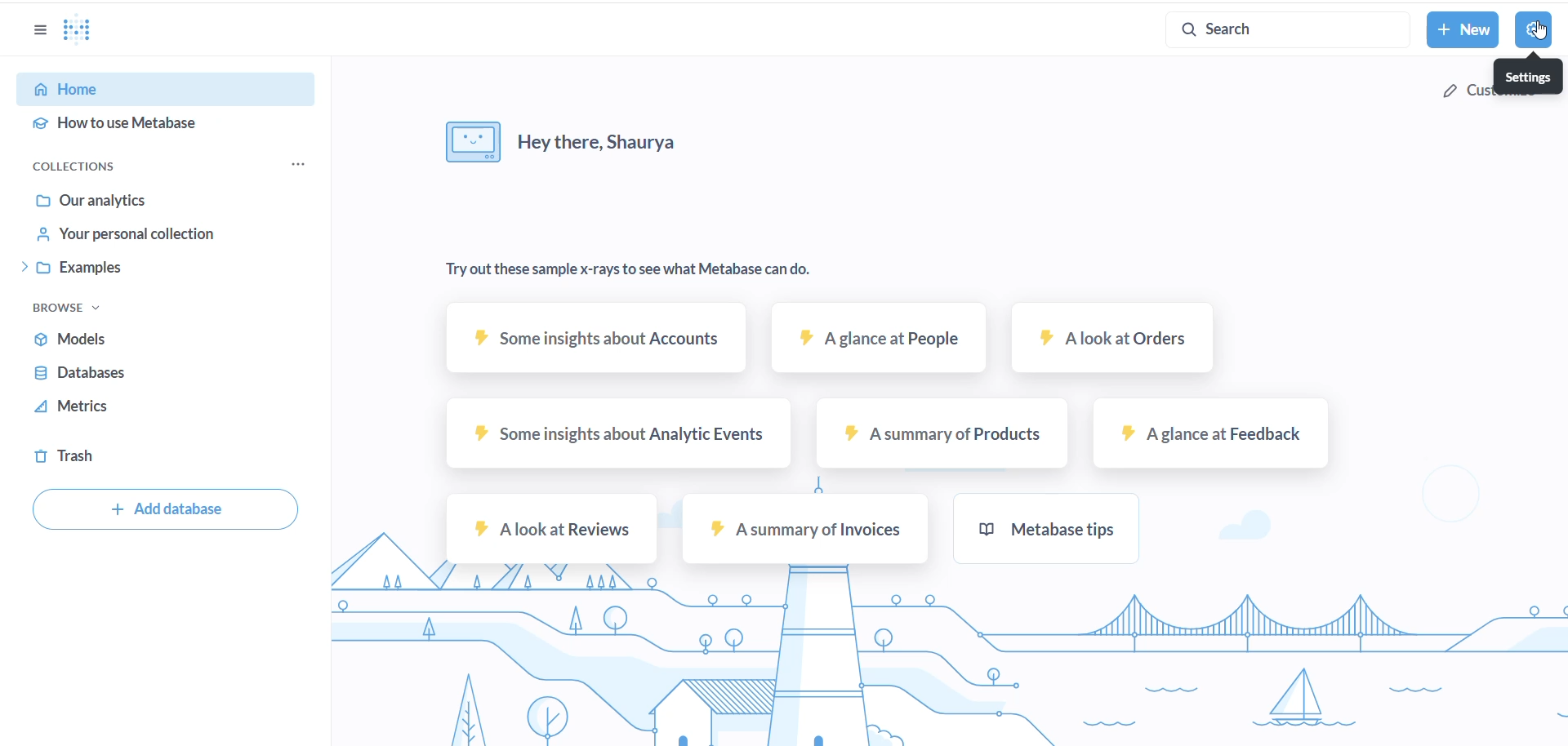 The height and width of the screenshot is (746, 1568). What do you see at coordinates (99, 167) in the screenshot?
I see `collections` at bounding box center [99, 167].